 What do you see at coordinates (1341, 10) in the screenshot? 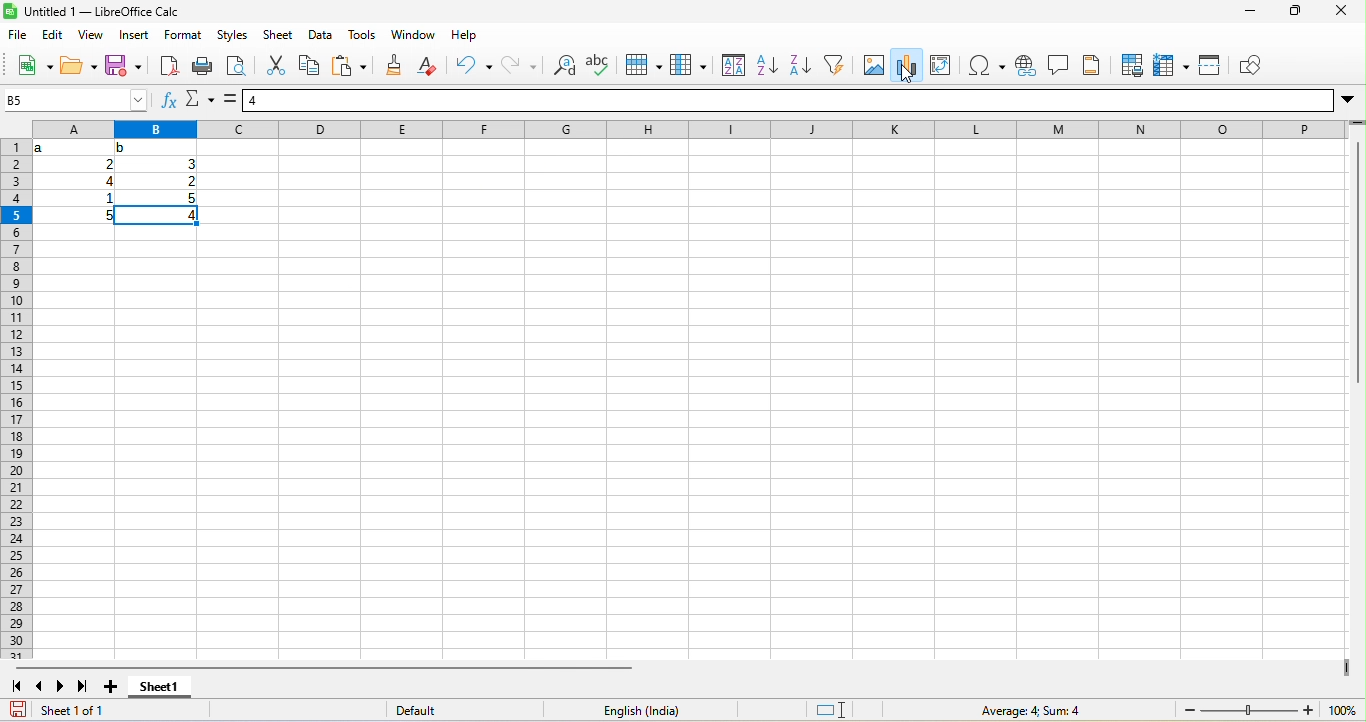
I see `close` at bounding box center [1341, 10].